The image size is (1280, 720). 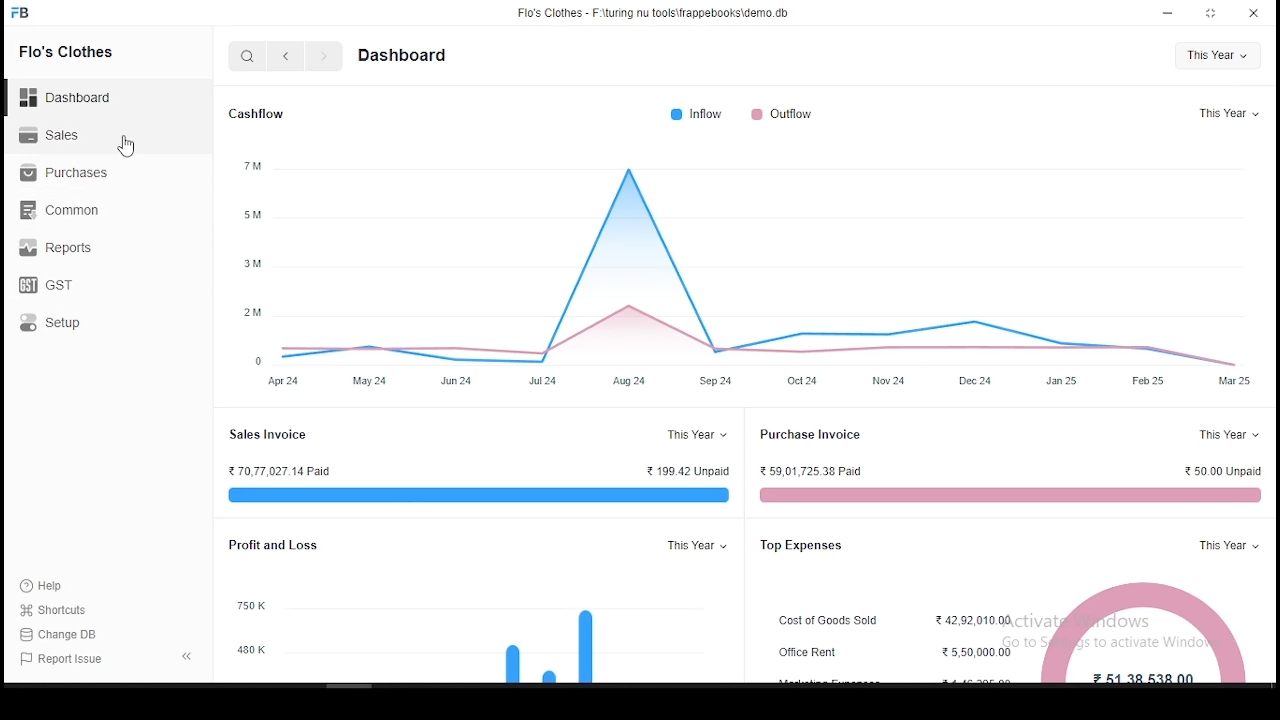 I want to click on jul 24, so click(x=540, y=381).